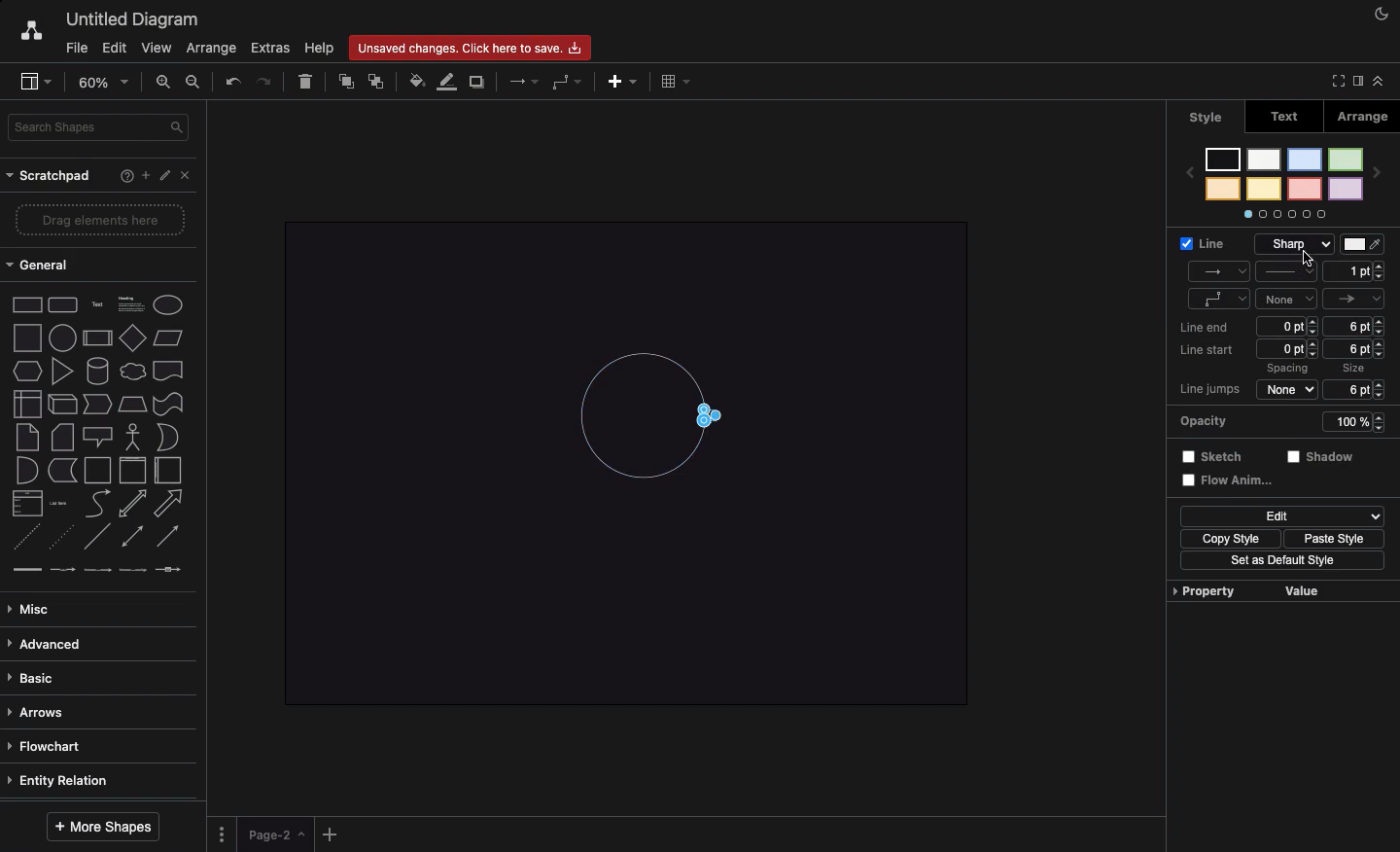 The width and height of the screenshot is (1400, 852). I want to click on Size, so click(1359, 359).